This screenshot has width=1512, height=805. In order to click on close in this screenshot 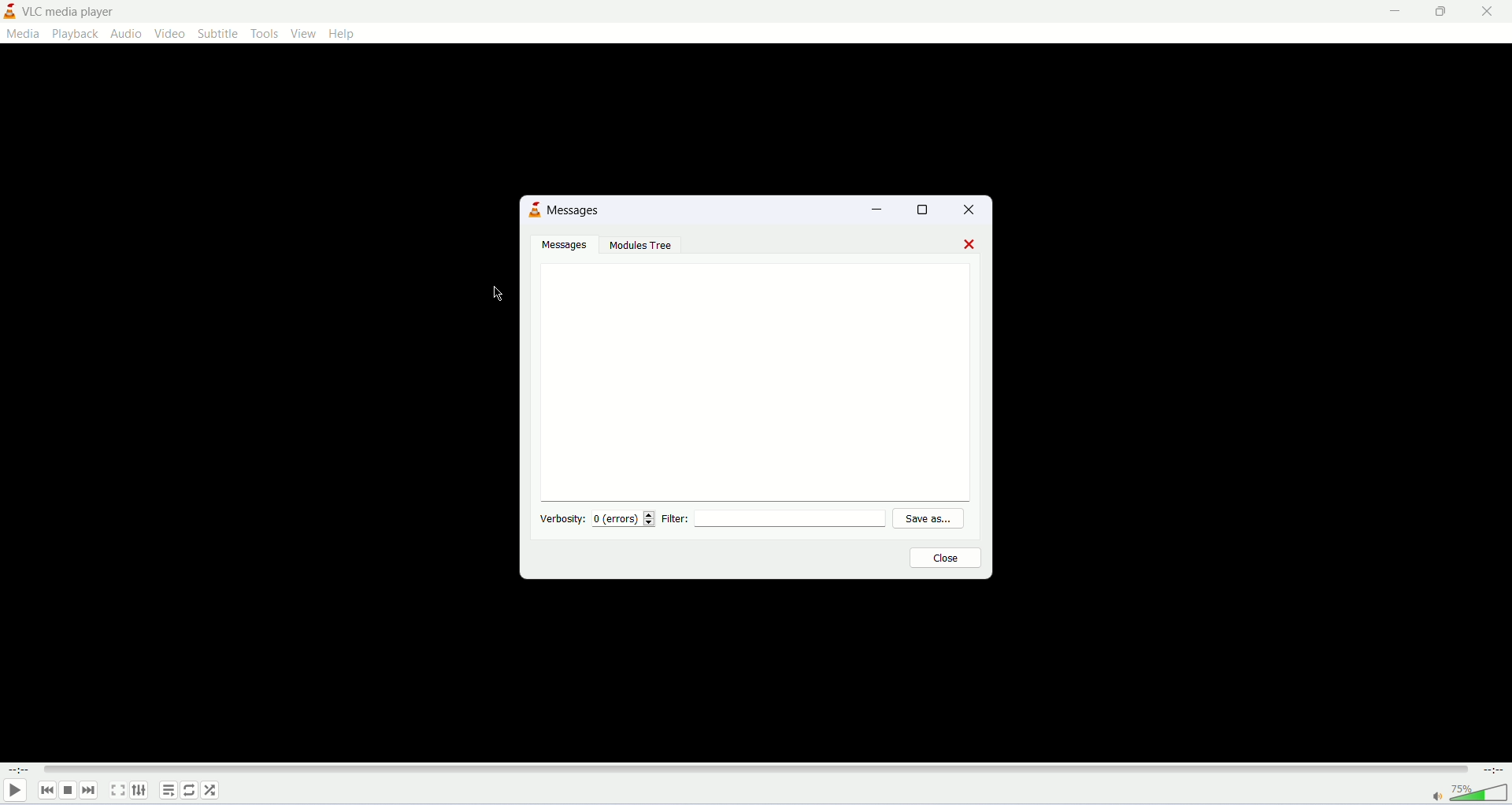, I will do `click(1488, 13)`.